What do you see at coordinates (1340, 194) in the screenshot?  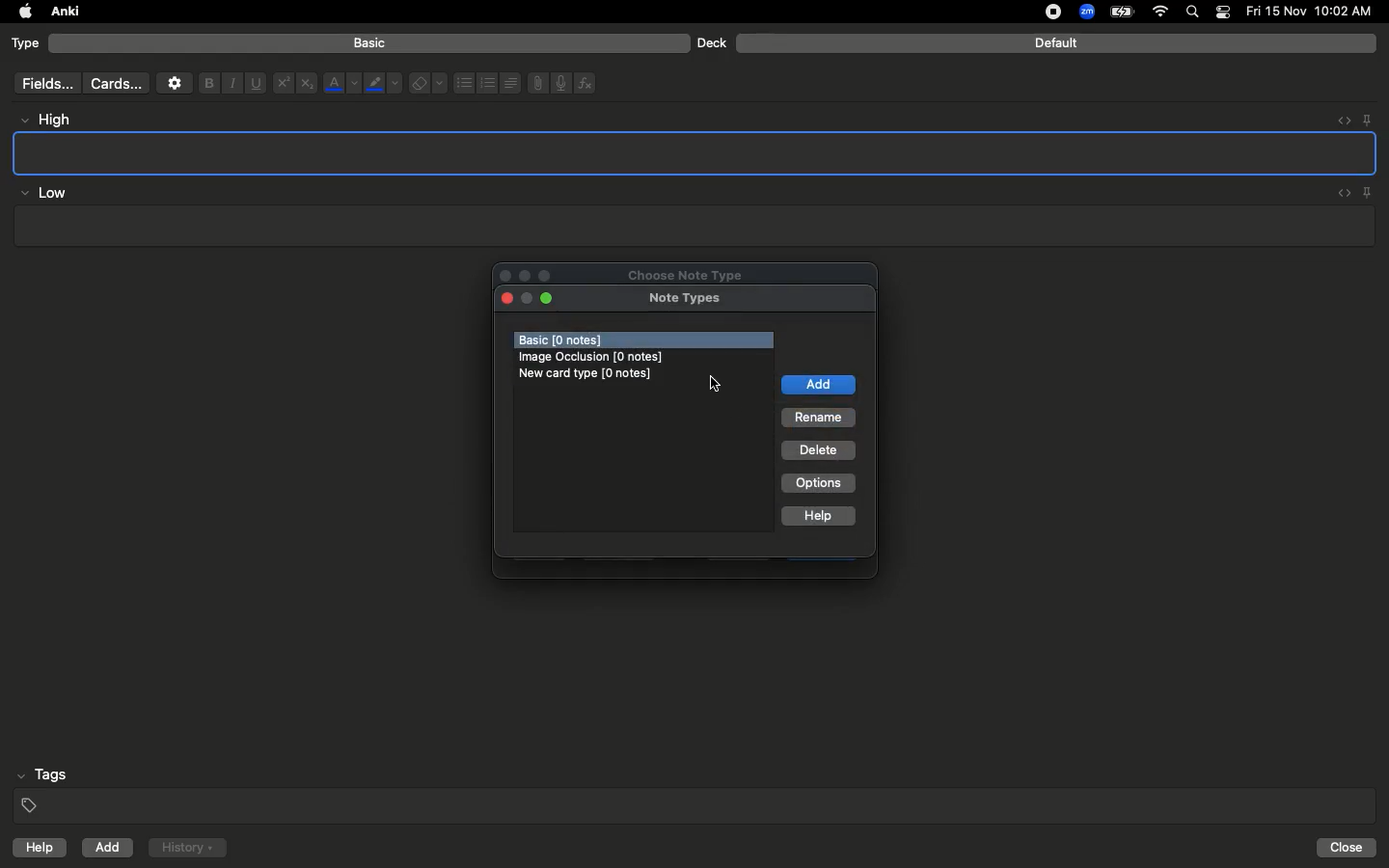 I see `Embed` at bounding box center [1340, 194].